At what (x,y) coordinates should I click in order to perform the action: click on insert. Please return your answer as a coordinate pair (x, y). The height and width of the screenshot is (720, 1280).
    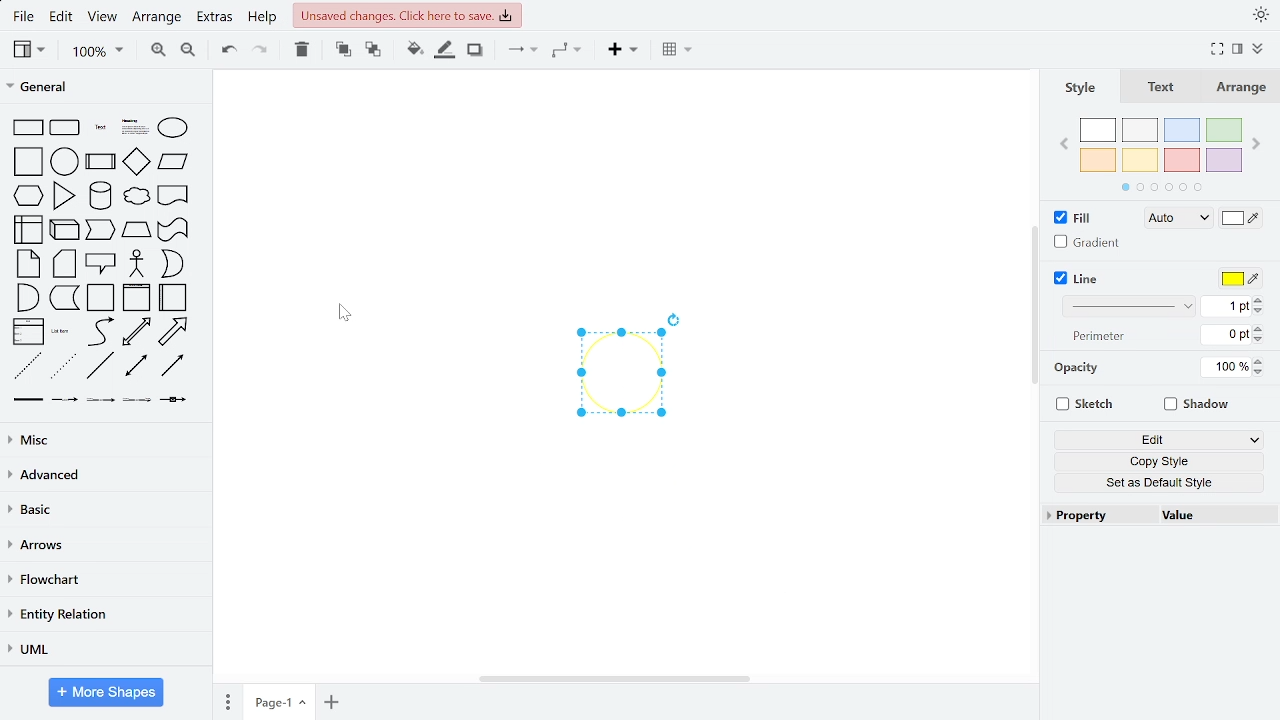
    Looking at the image, I should click on (619, 51).